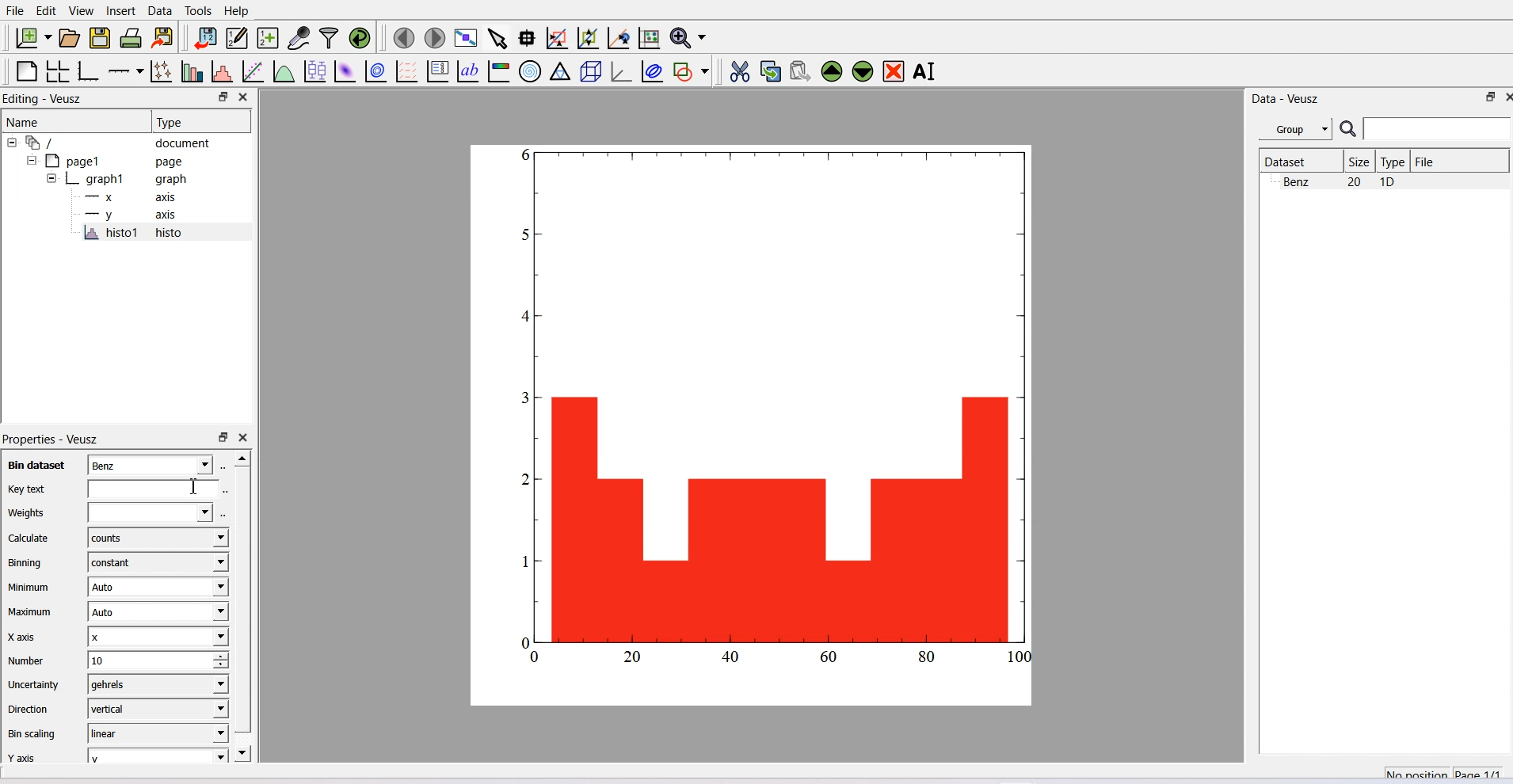 The height and width of the screenshot is (784, 1513). What do you see at coordinates (1427, 161) in the screenshot?
I see `File` at bounding box center [1427, 161].